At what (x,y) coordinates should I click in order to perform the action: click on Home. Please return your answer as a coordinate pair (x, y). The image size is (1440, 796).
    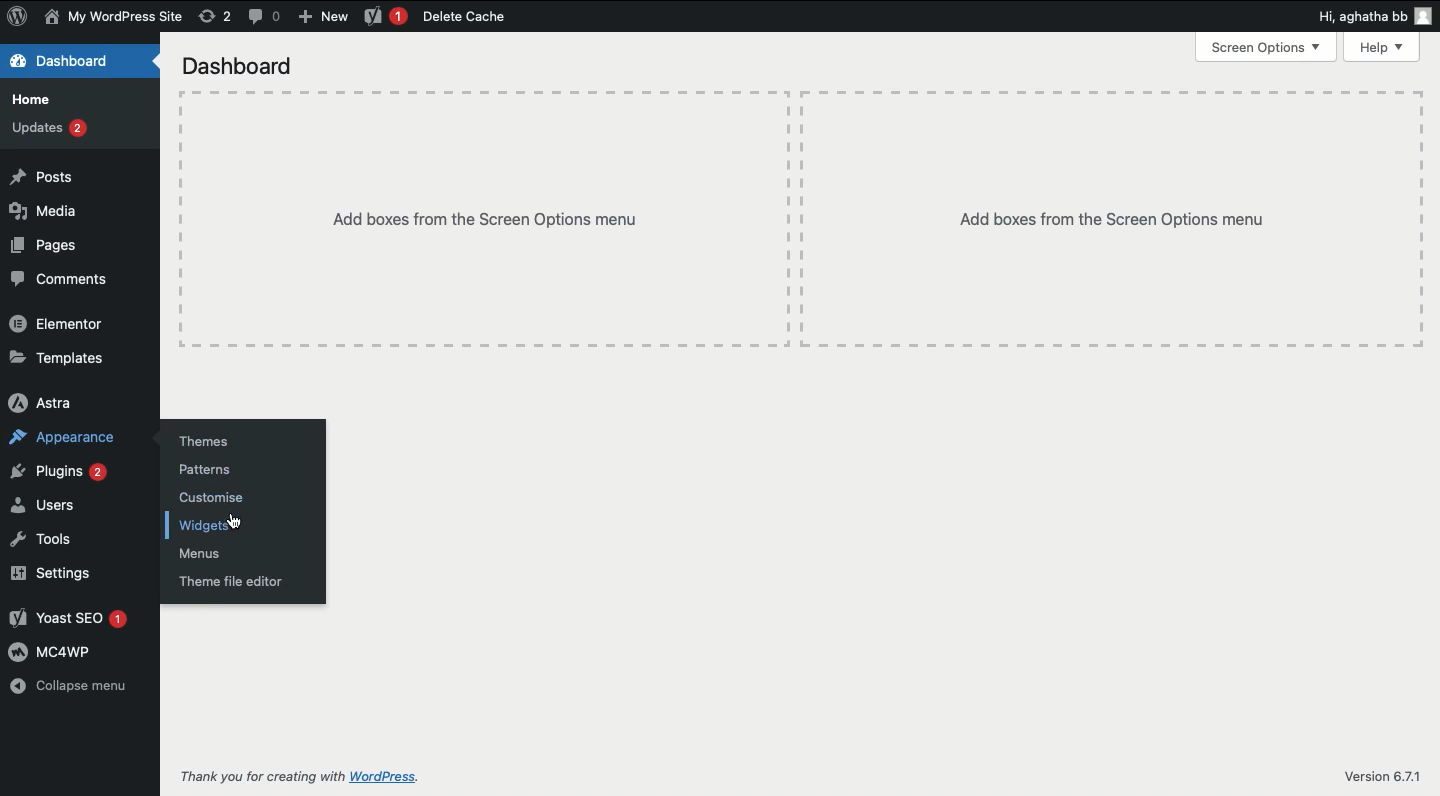
    Looking at the image, I should click on (38, 100).